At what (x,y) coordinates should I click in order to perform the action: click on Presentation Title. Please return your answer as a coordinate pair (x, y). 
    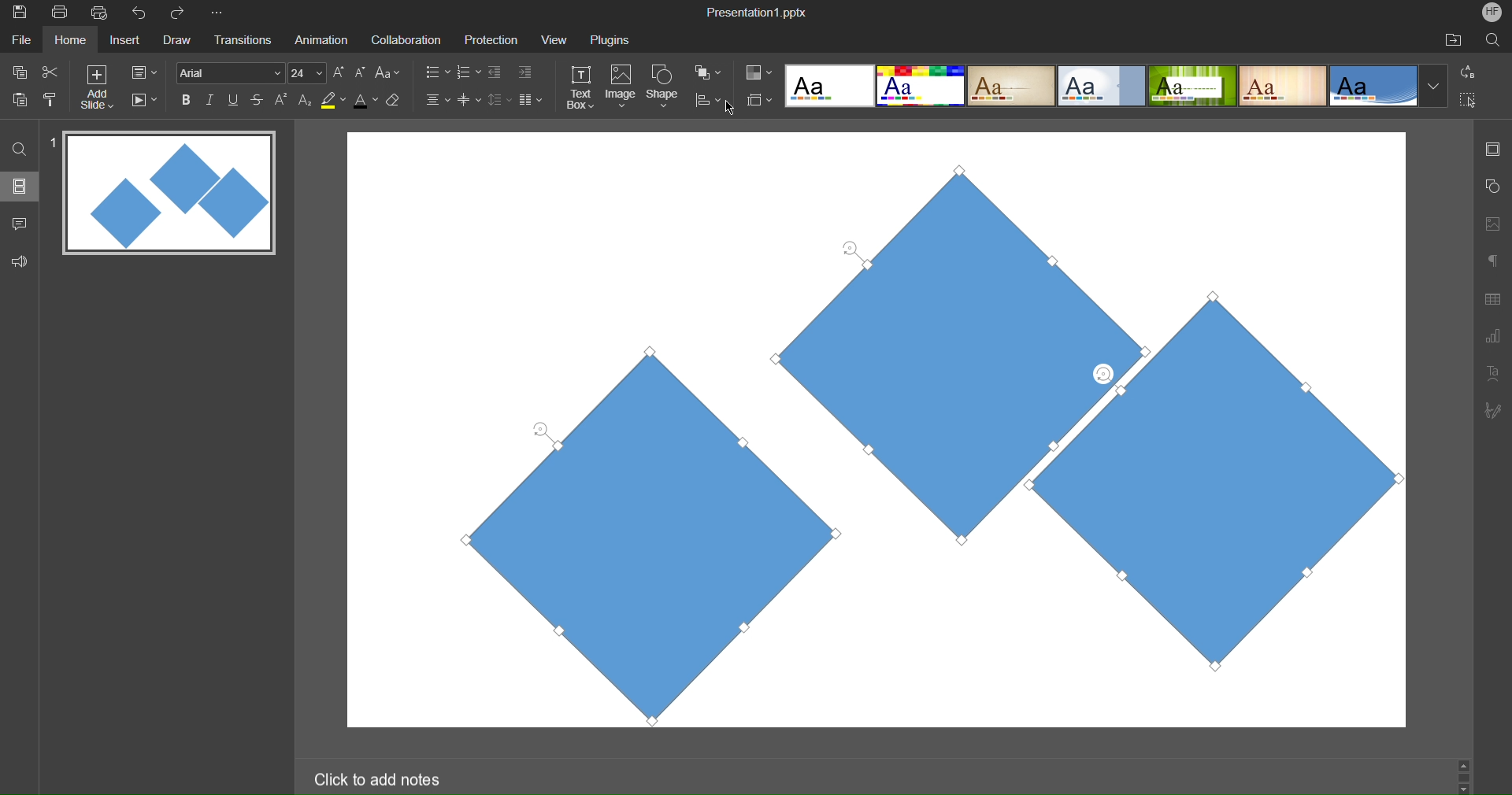
    Looking at the image, I should click on (759, 11).